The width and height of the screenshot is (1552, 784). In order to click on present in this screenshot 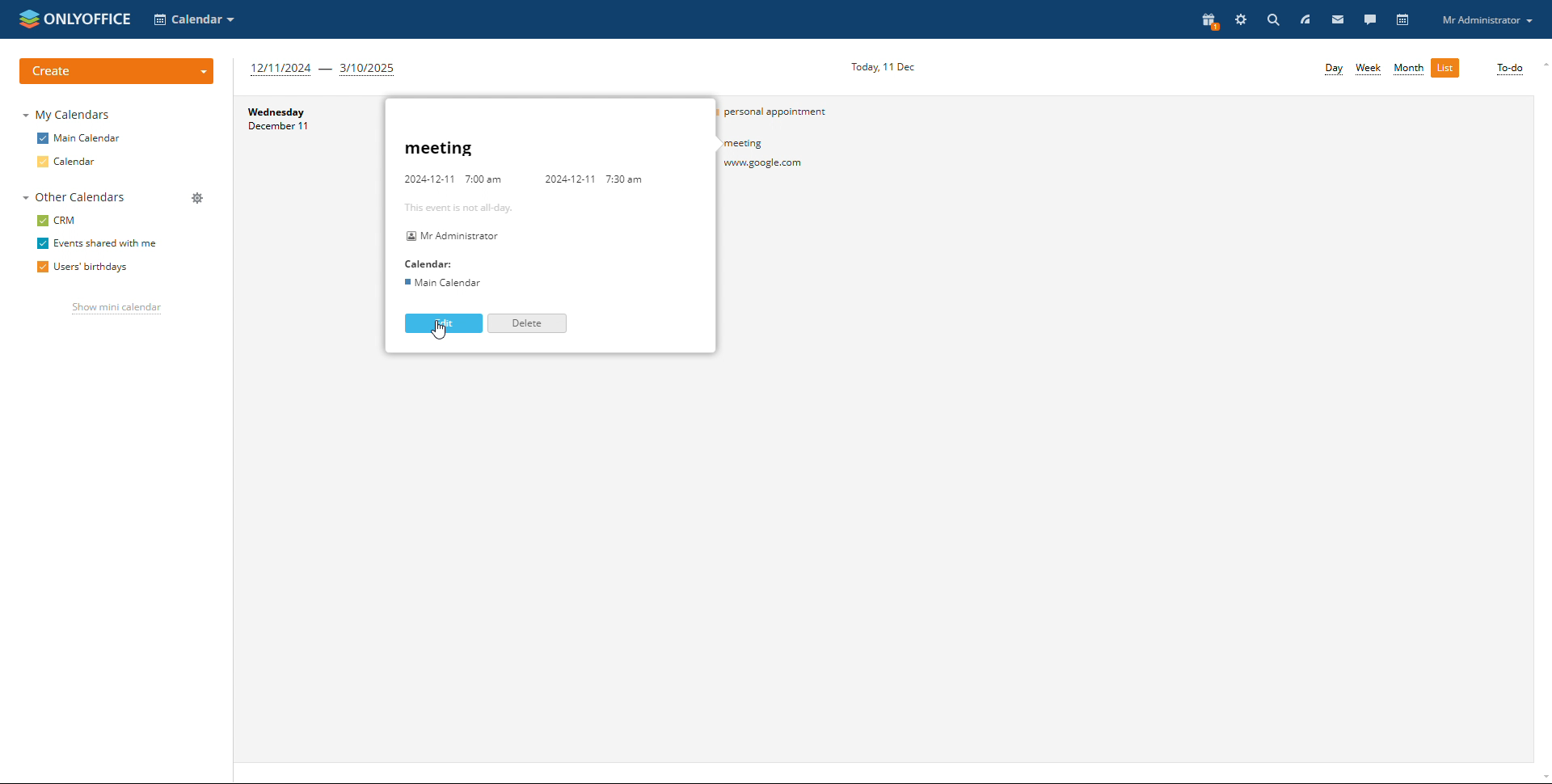, I will do `click(1208, 22)`.